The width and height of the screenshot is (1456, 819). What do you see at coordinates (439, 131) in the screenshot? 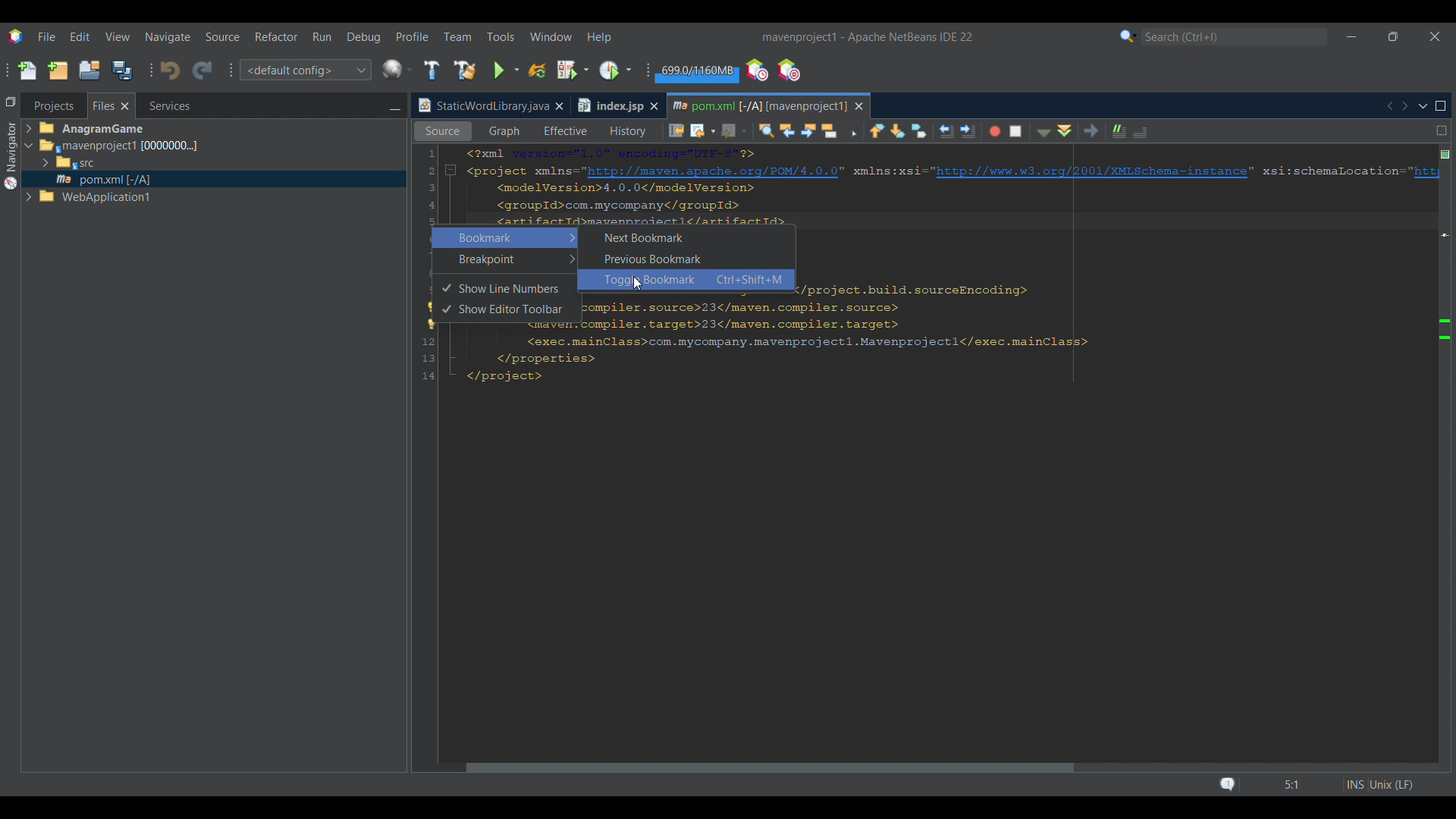
I see `Source view` at bounding box center [439, 131].